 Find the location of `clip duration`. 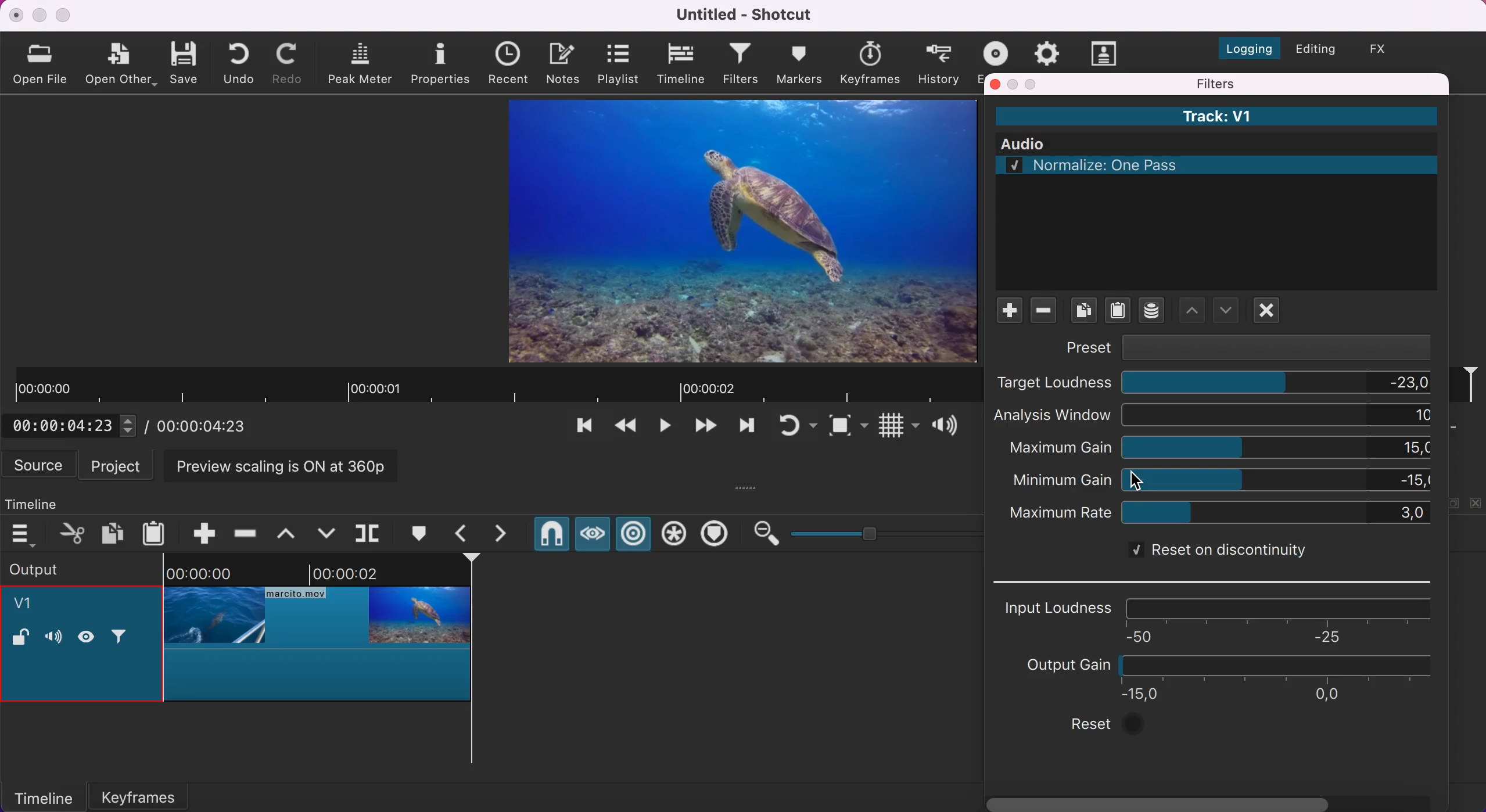

clip duration is located at coordinates (494, 386).